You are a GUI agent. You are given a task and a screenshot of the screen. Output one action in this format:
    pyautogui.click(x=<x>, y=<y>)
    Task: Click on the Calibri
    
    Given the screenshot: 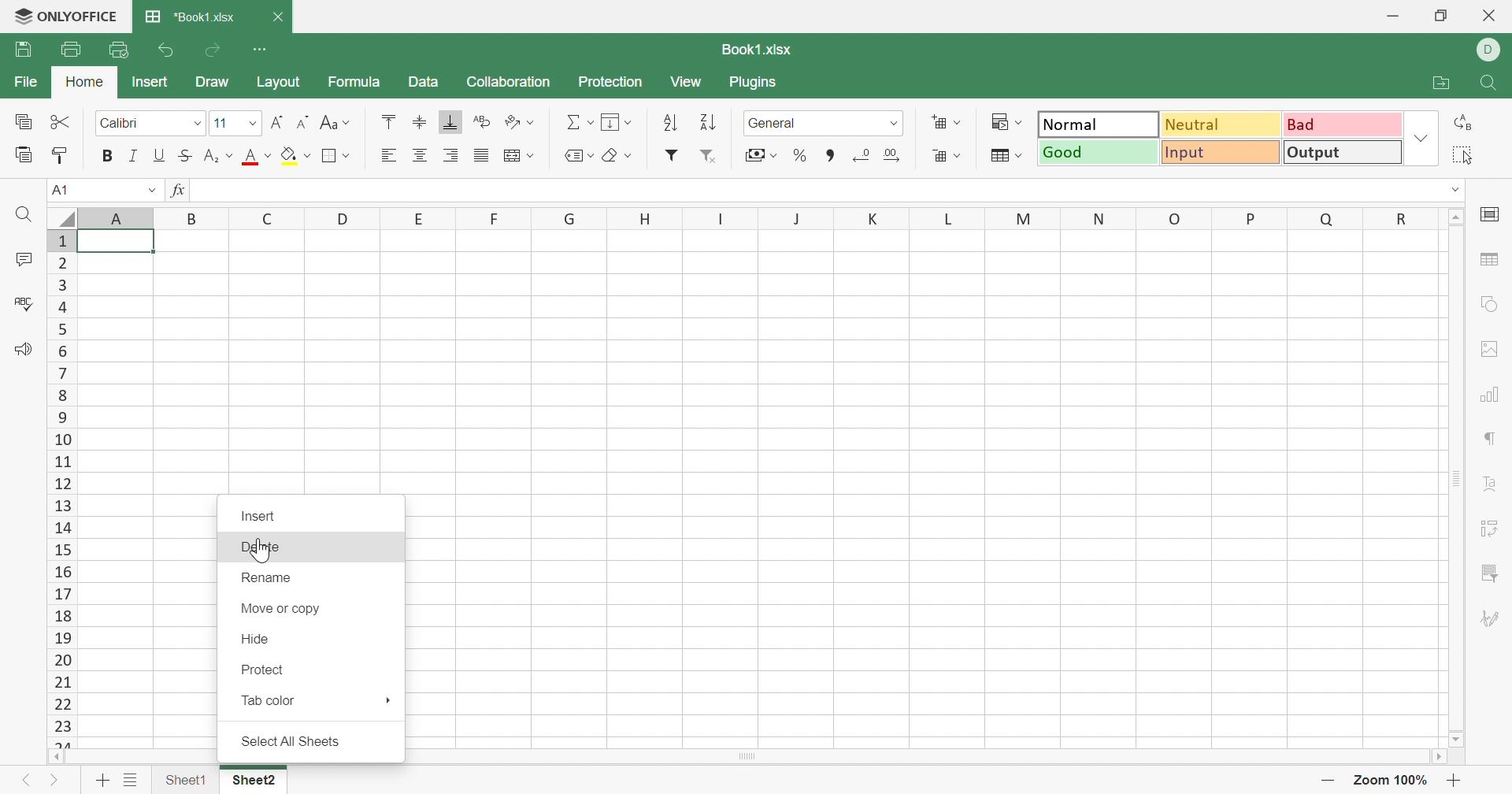 What is the action you would take?
    pyautogui.click(x=120, y=121)
    